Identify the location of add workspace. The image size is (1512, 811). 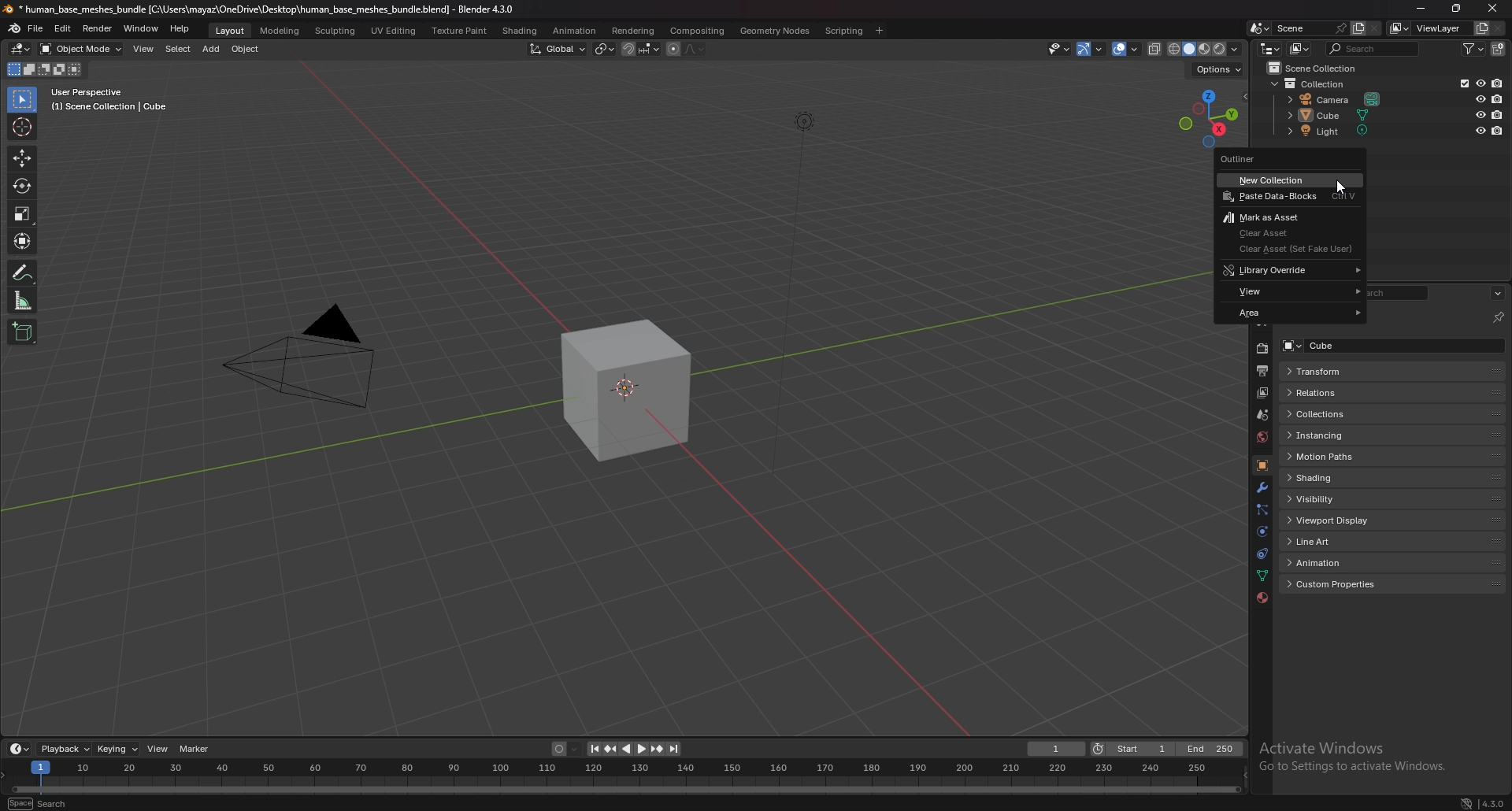
(877, 31).